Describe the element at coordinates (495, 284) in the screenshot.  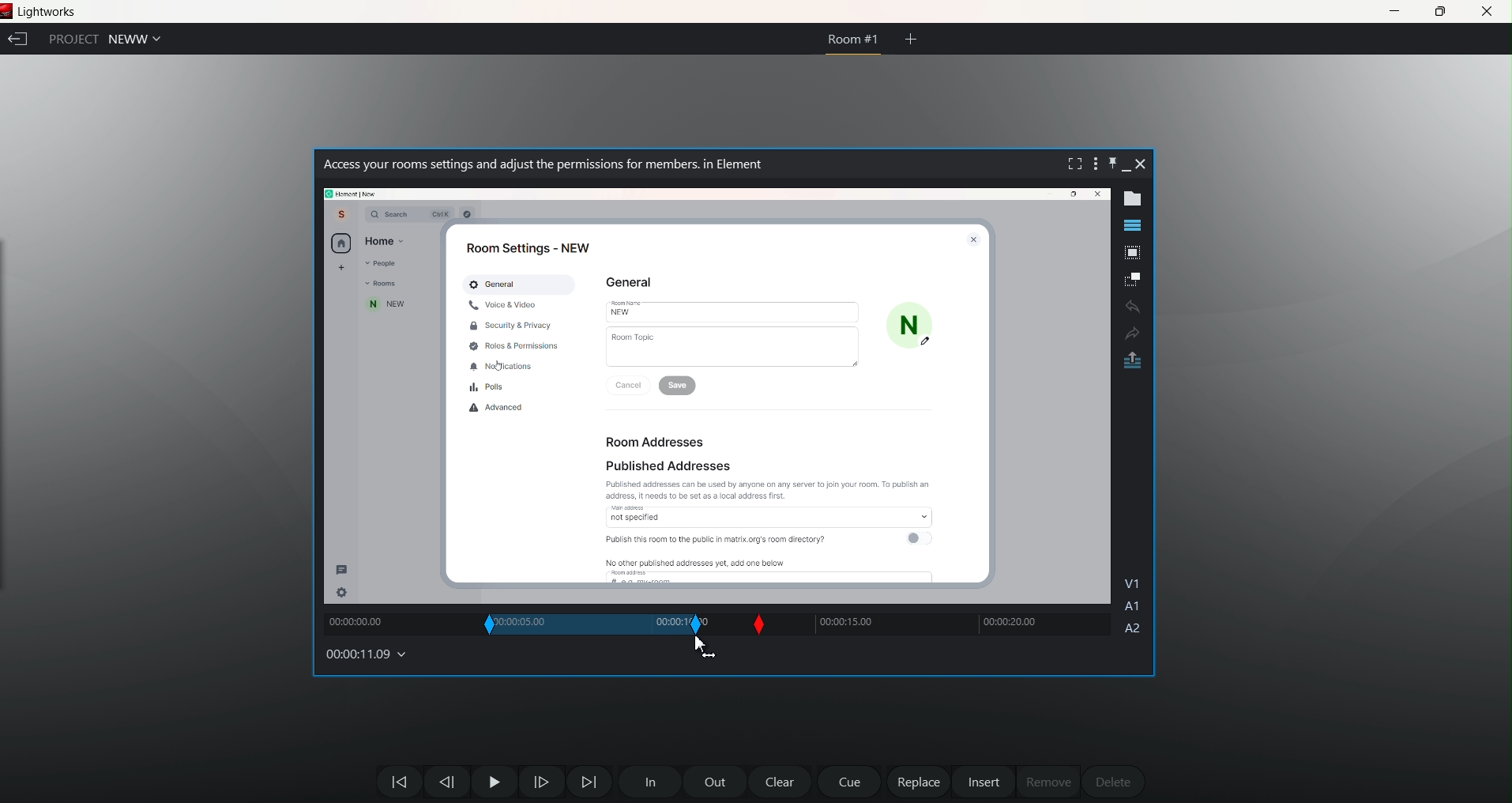
I see `General` at that location.